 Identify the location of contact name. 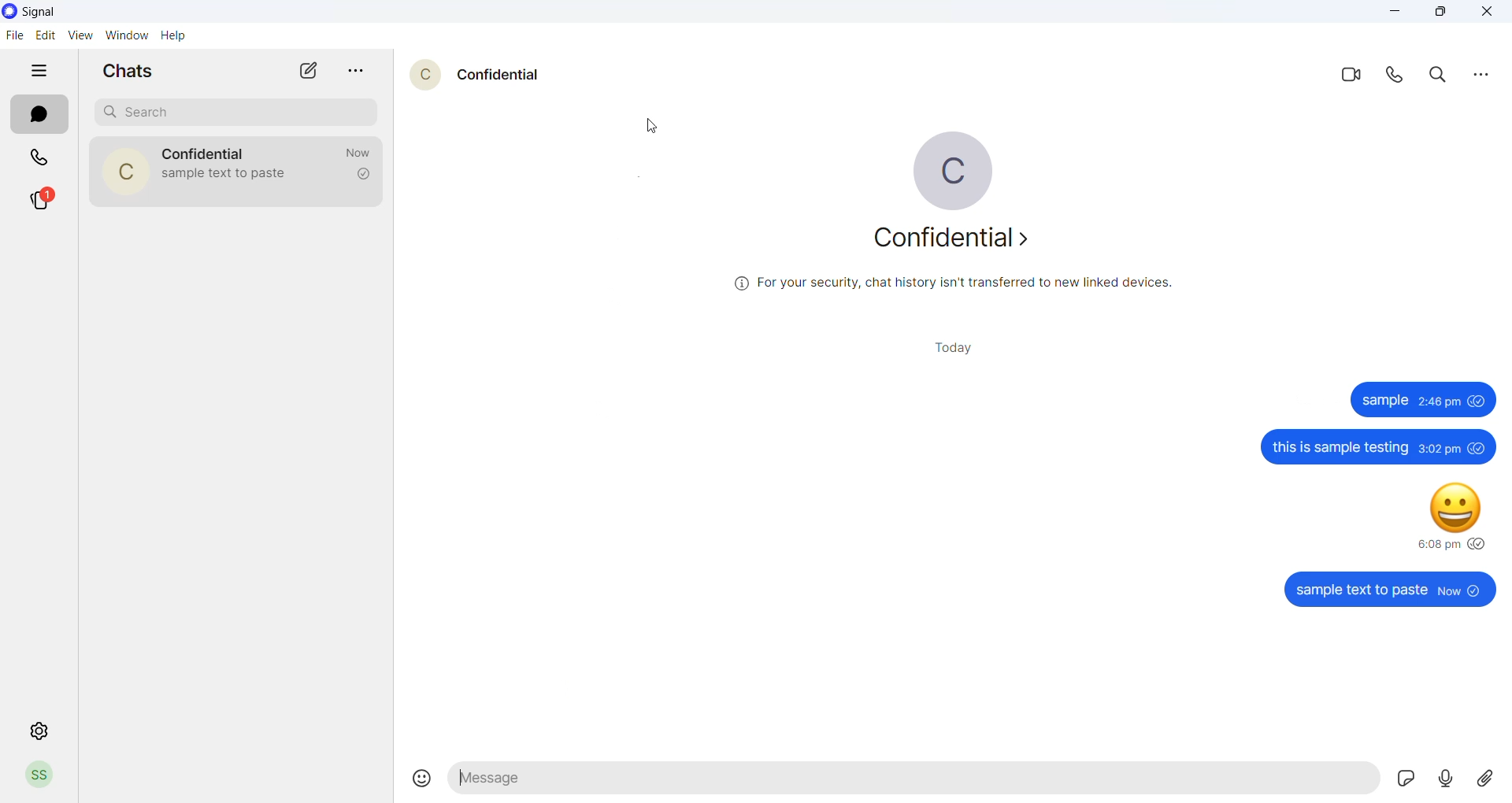
(209, 154).